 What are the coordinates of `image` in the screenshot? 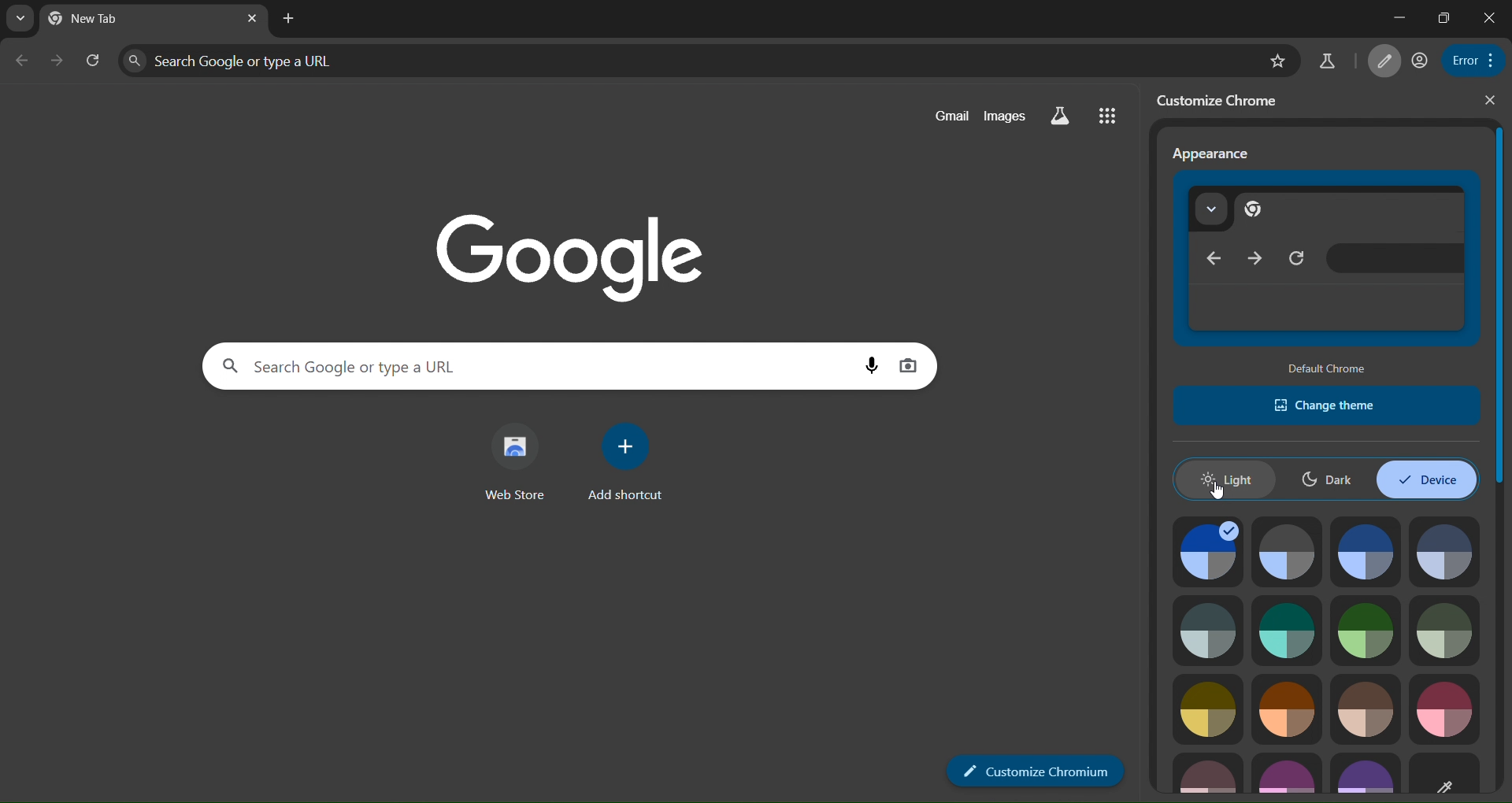 It's located at (1287, 775).